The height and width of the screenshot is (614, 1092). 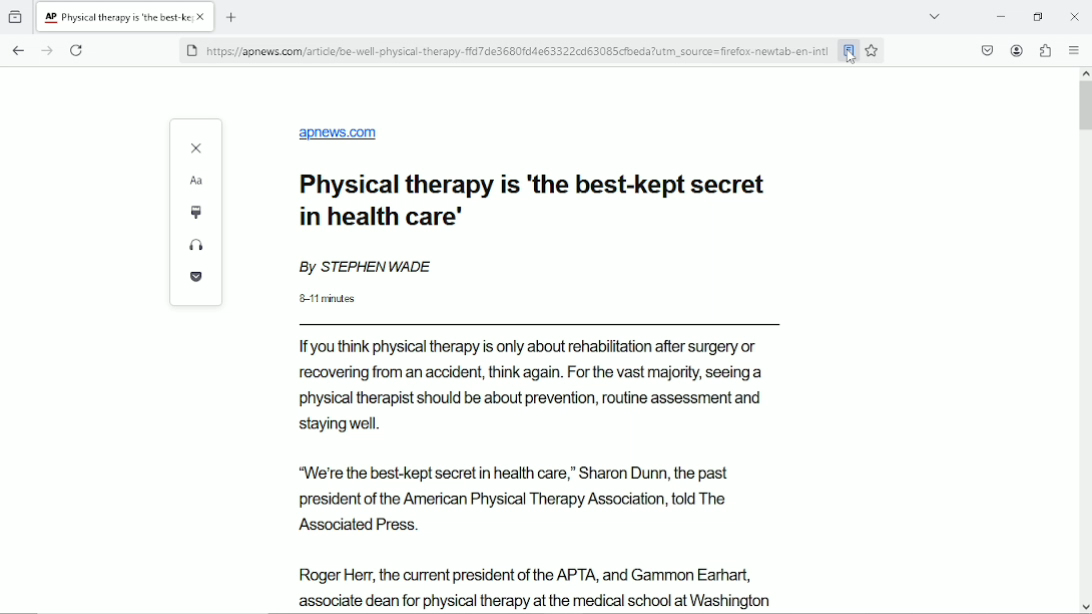 I want to click on current tab, so click(x=126, y=17).